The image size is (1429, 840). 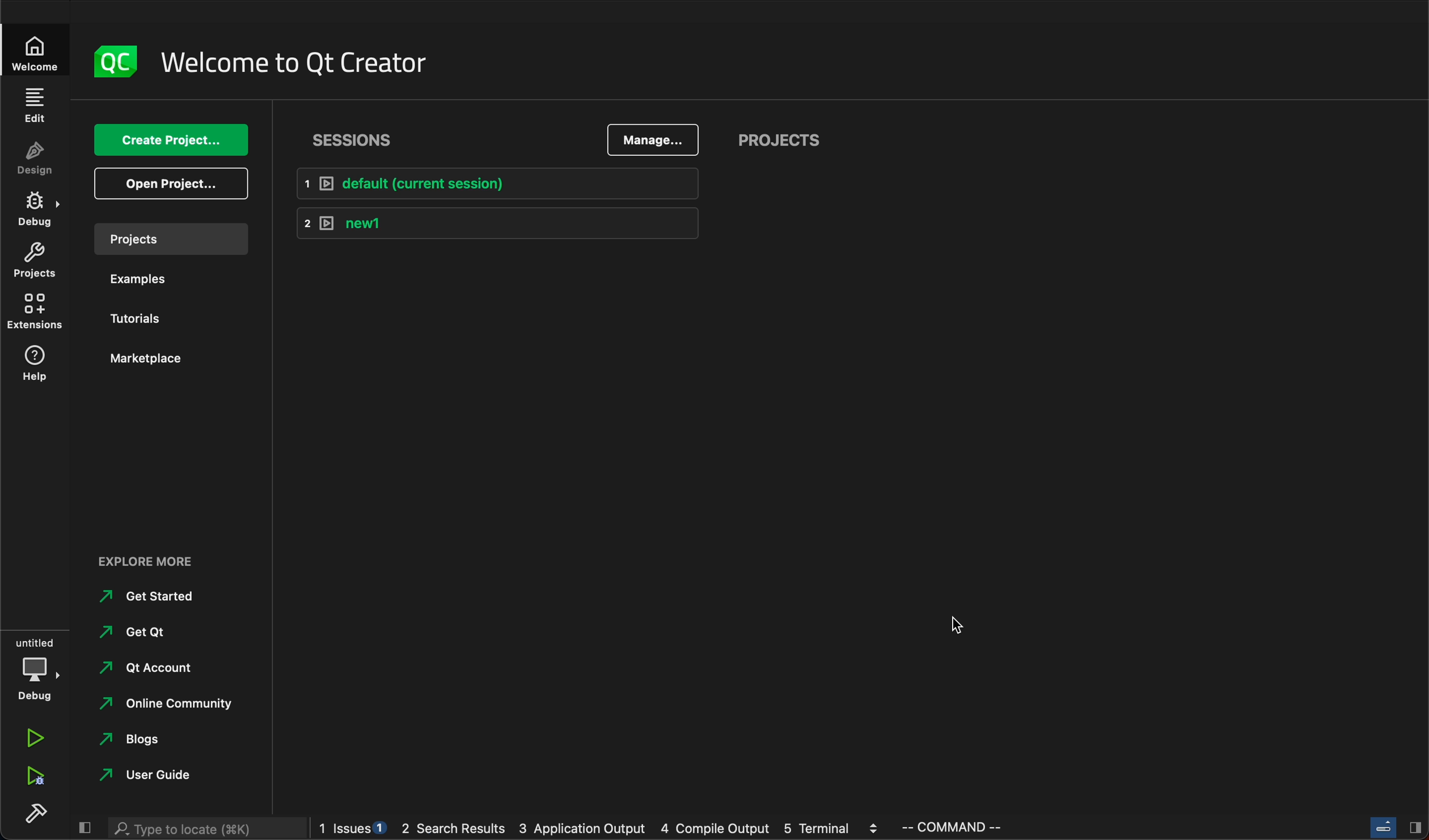 I want to click on extensions, so click(x=33, y=313).